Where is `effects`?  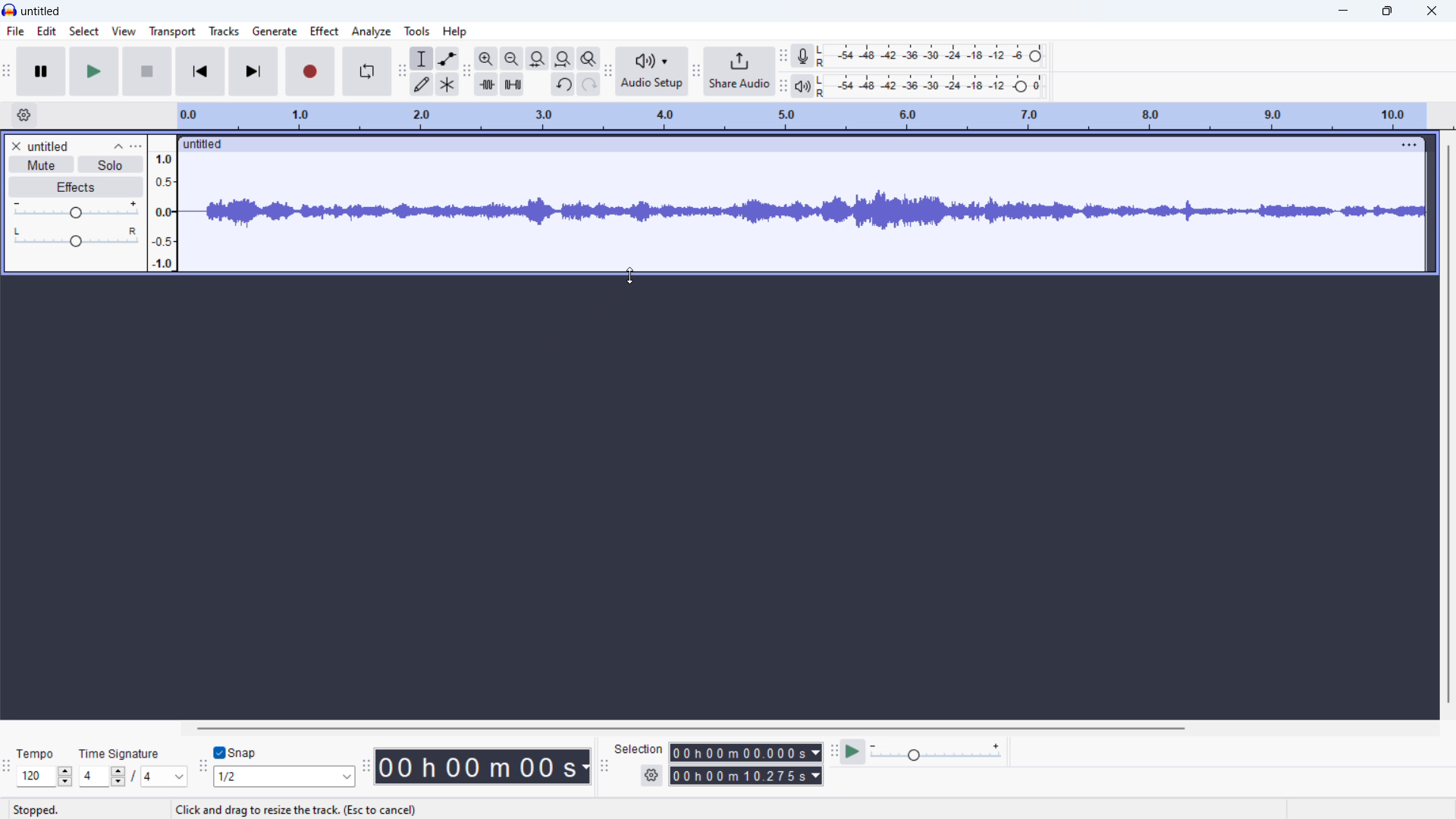 effects is located at coordinates (76, 188).